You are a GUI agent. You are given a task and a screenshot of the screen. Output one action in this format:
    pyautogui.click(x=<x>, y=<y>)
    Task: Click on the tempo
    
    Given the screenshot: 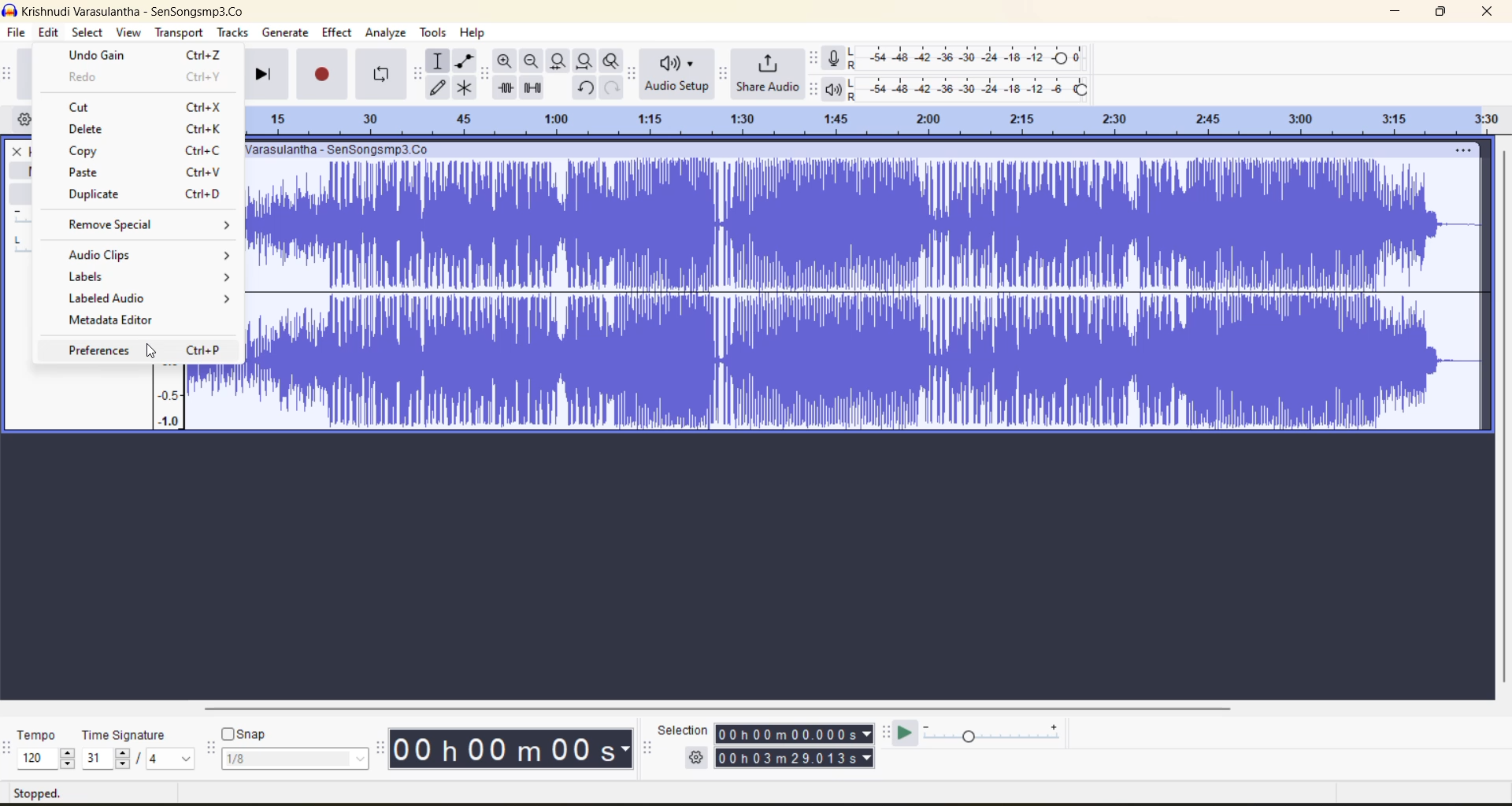 What is the action you would take?
    pyautogui.click(x=46, y=749)
    